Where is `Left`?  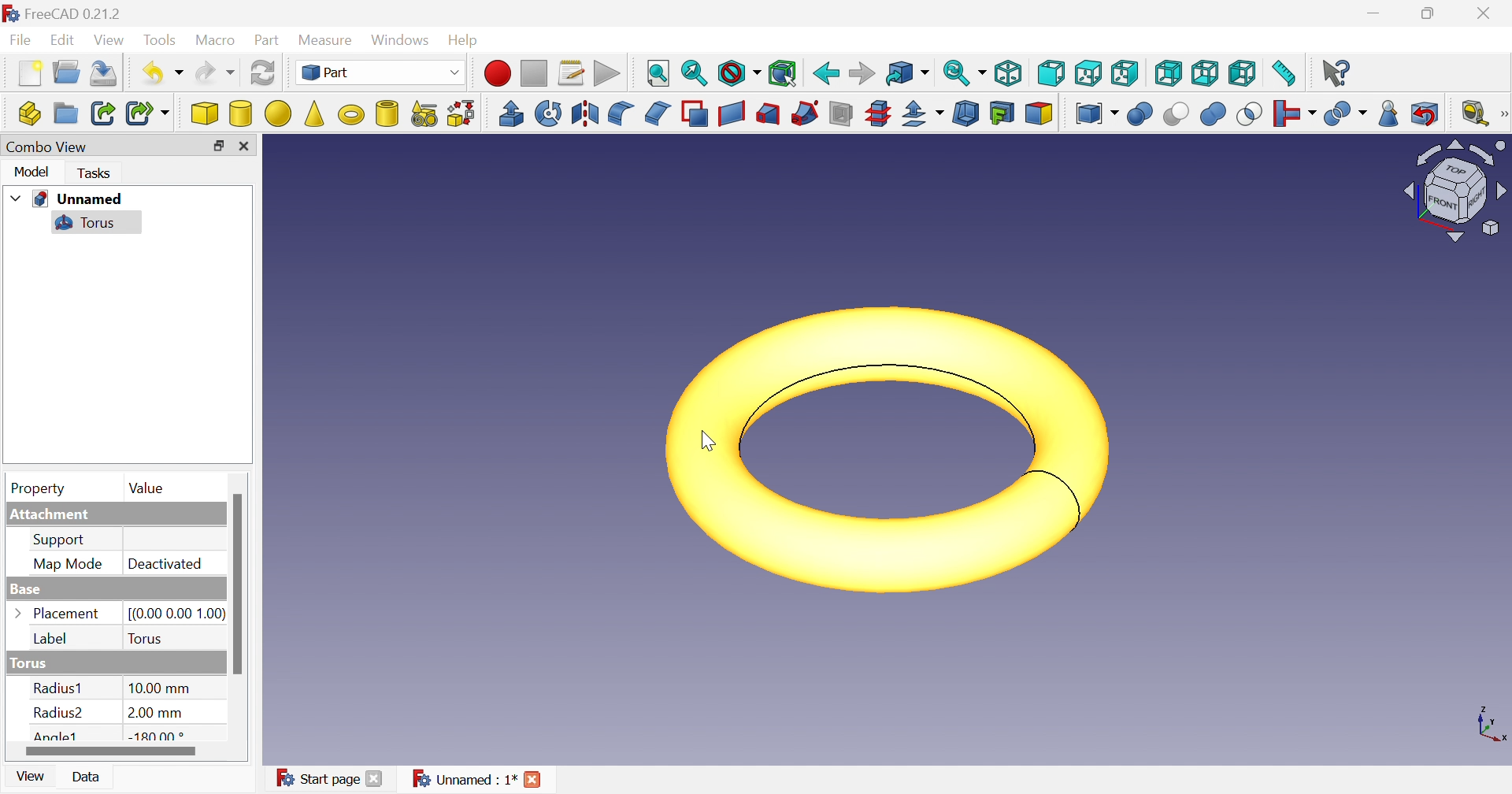 Left is located at coordinates (1242, 71).